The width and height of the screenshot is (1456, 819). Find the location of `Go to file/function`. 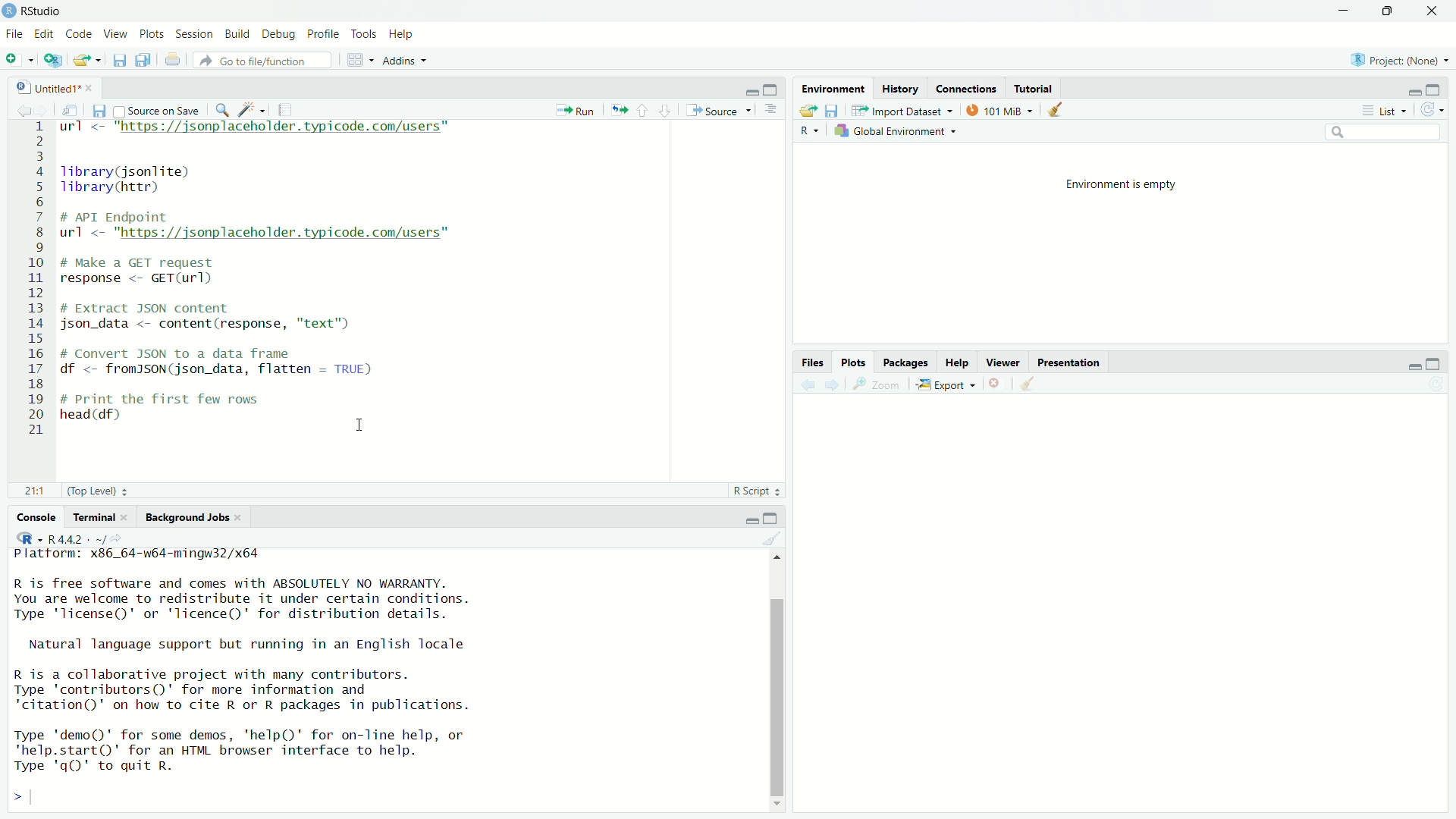

Go to file/function is located at coordinates (267, 59).